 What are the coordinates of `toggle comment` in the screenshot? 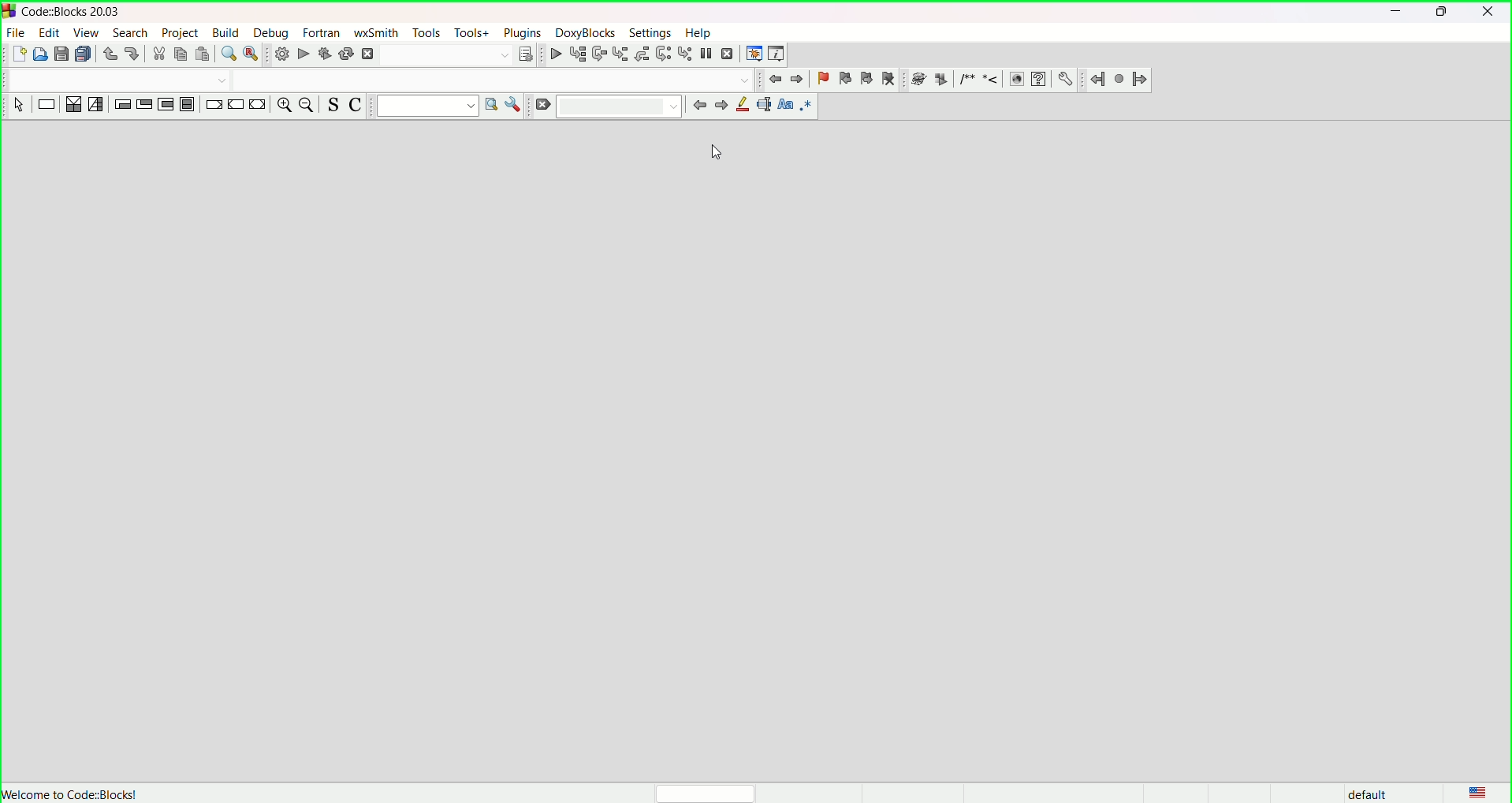 It's located at (356, 106).